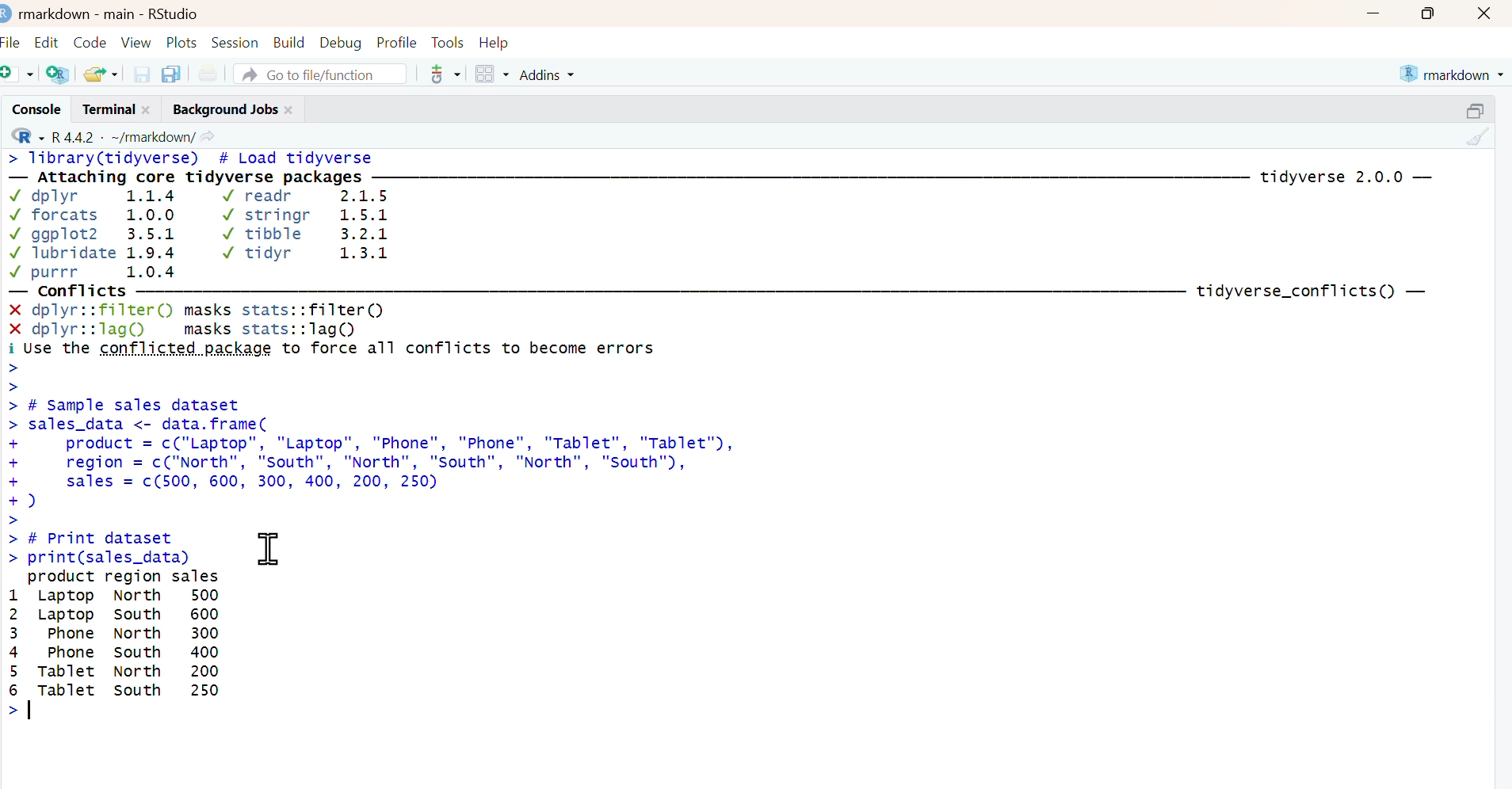 The width and height of the screenshot is (1512, 789). What do you see at coordinates (78, 12) in the screenshot?
I see `markdown - main -` at bounding box center [78, 12].